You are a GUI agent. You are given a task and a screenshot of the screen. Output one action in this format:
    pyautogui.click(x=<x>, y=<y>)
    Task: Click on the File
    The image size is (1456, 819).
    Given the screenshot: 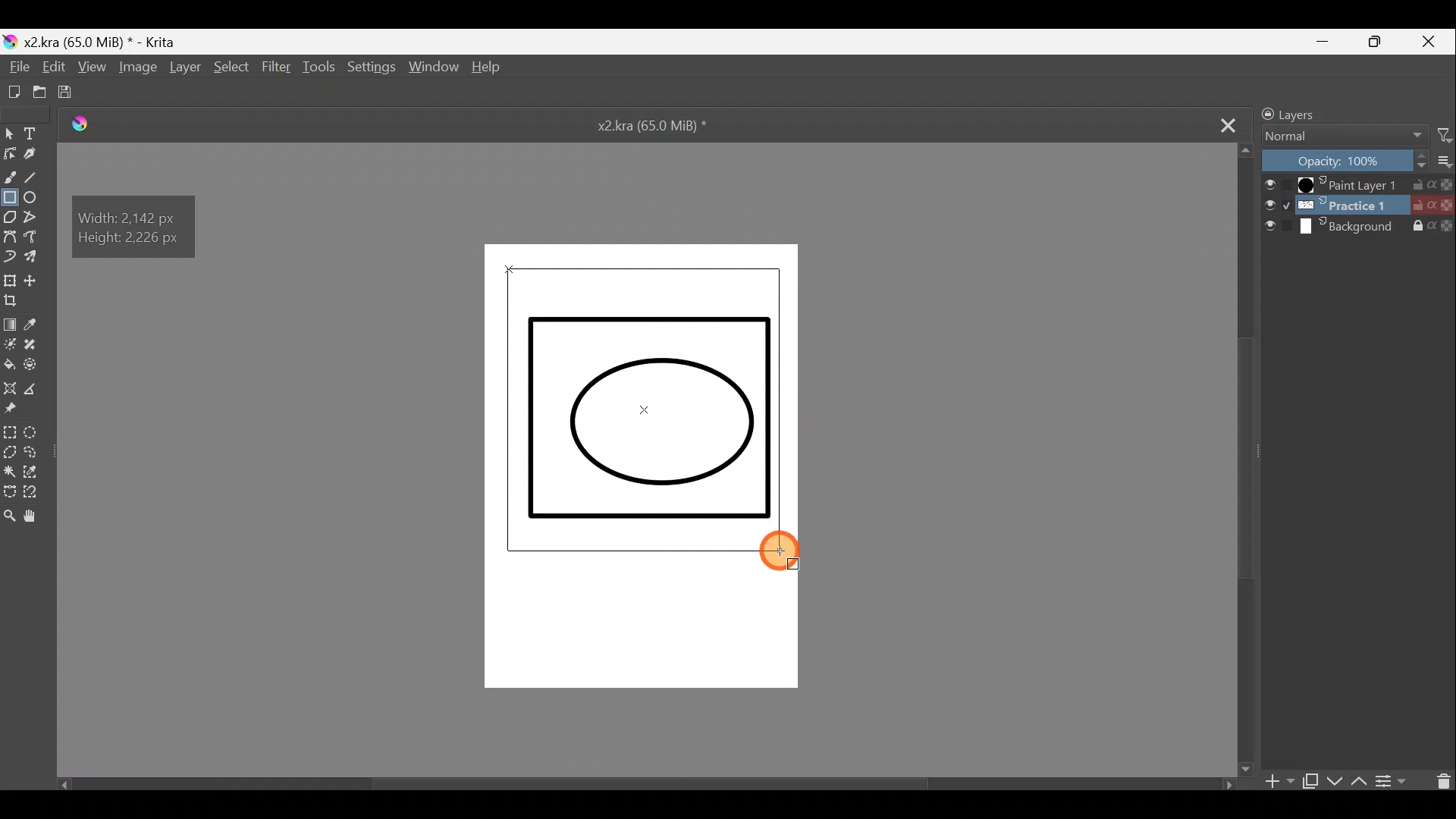 What is the action you would take?
    pyautogui.click(x=15, y=65)
    